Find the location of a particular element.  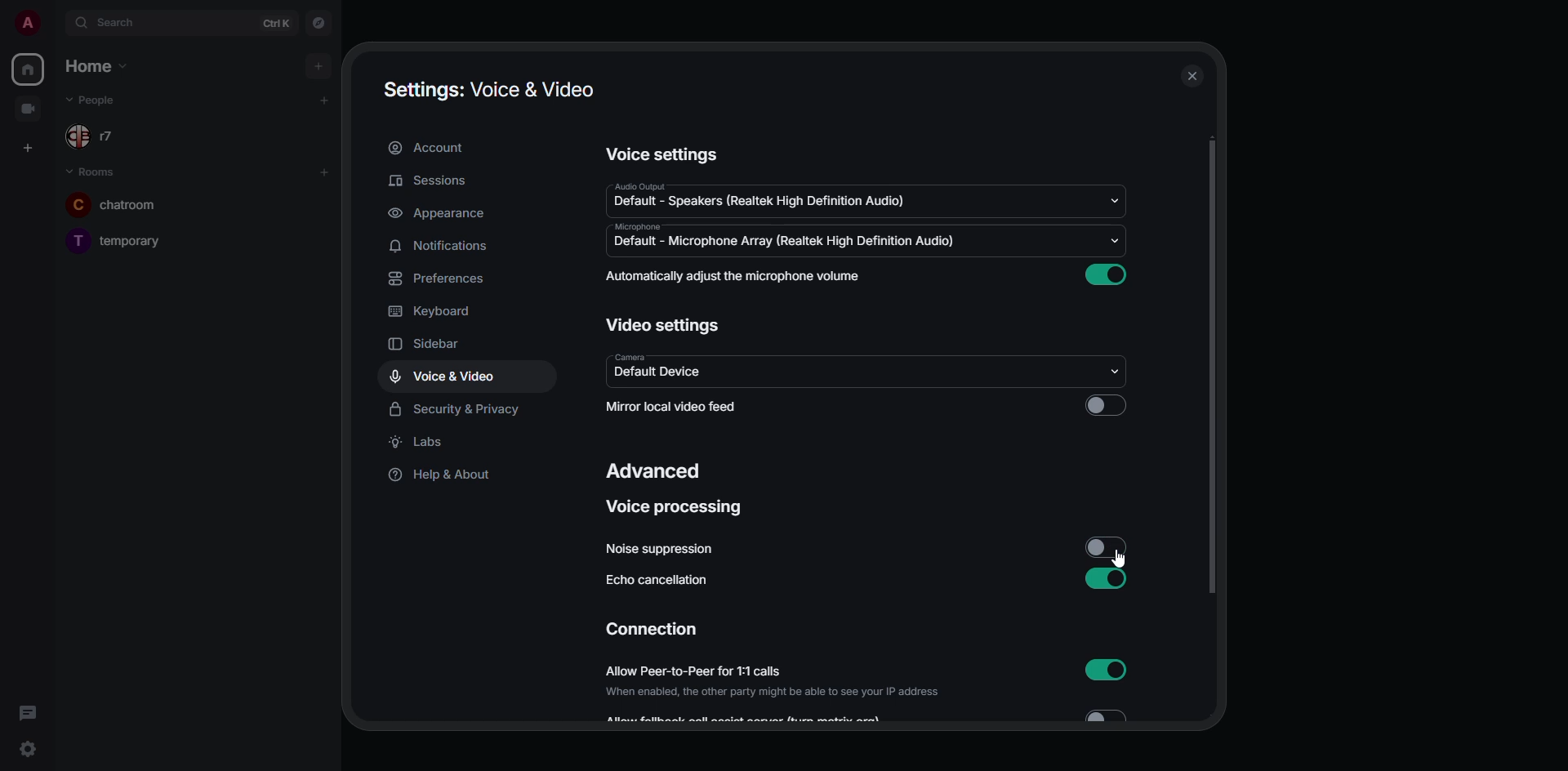

profile is located at coordinates (28, 23).